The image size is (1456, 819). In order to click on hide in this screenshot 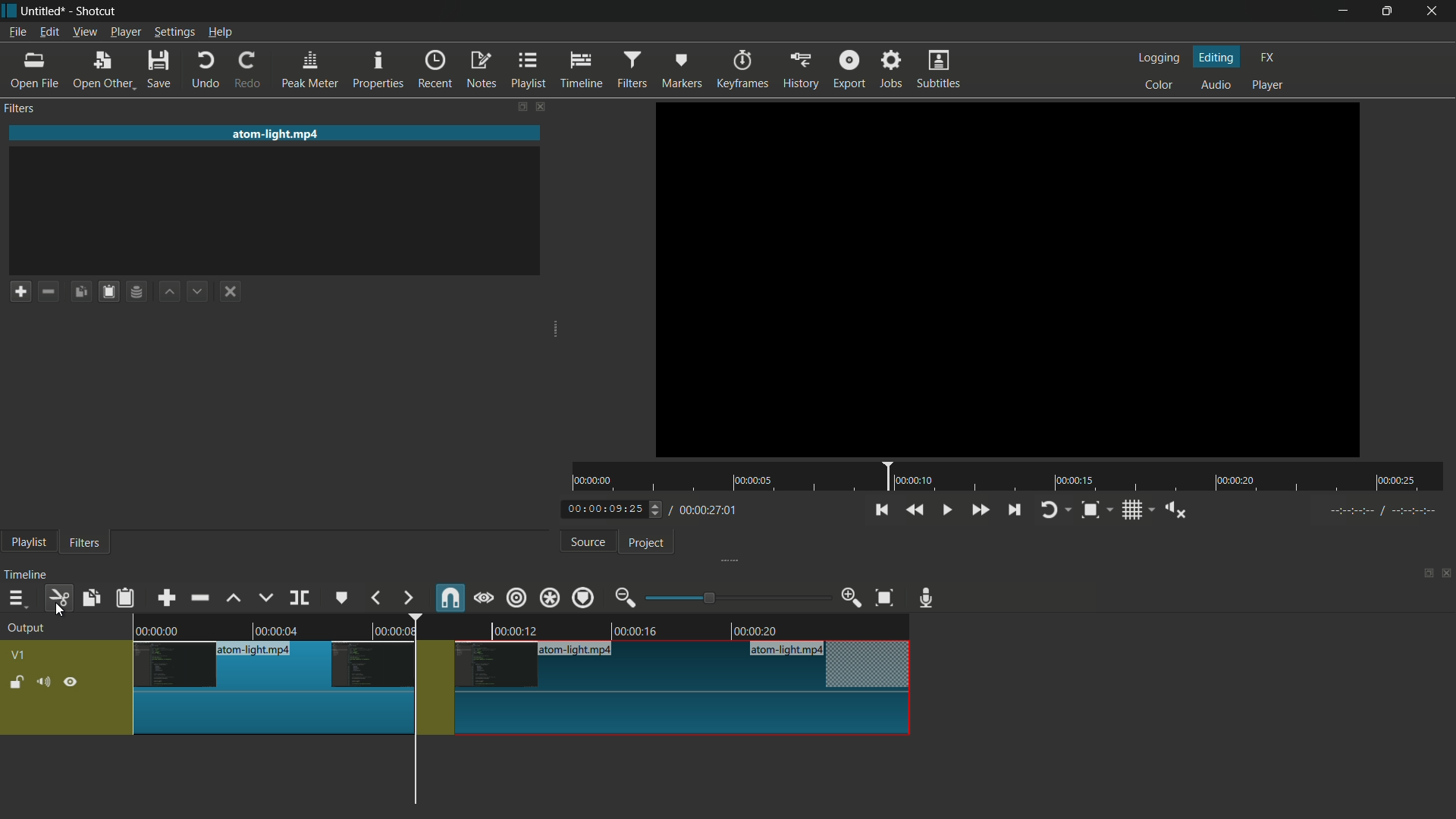, I will do `click(72, 681)`.